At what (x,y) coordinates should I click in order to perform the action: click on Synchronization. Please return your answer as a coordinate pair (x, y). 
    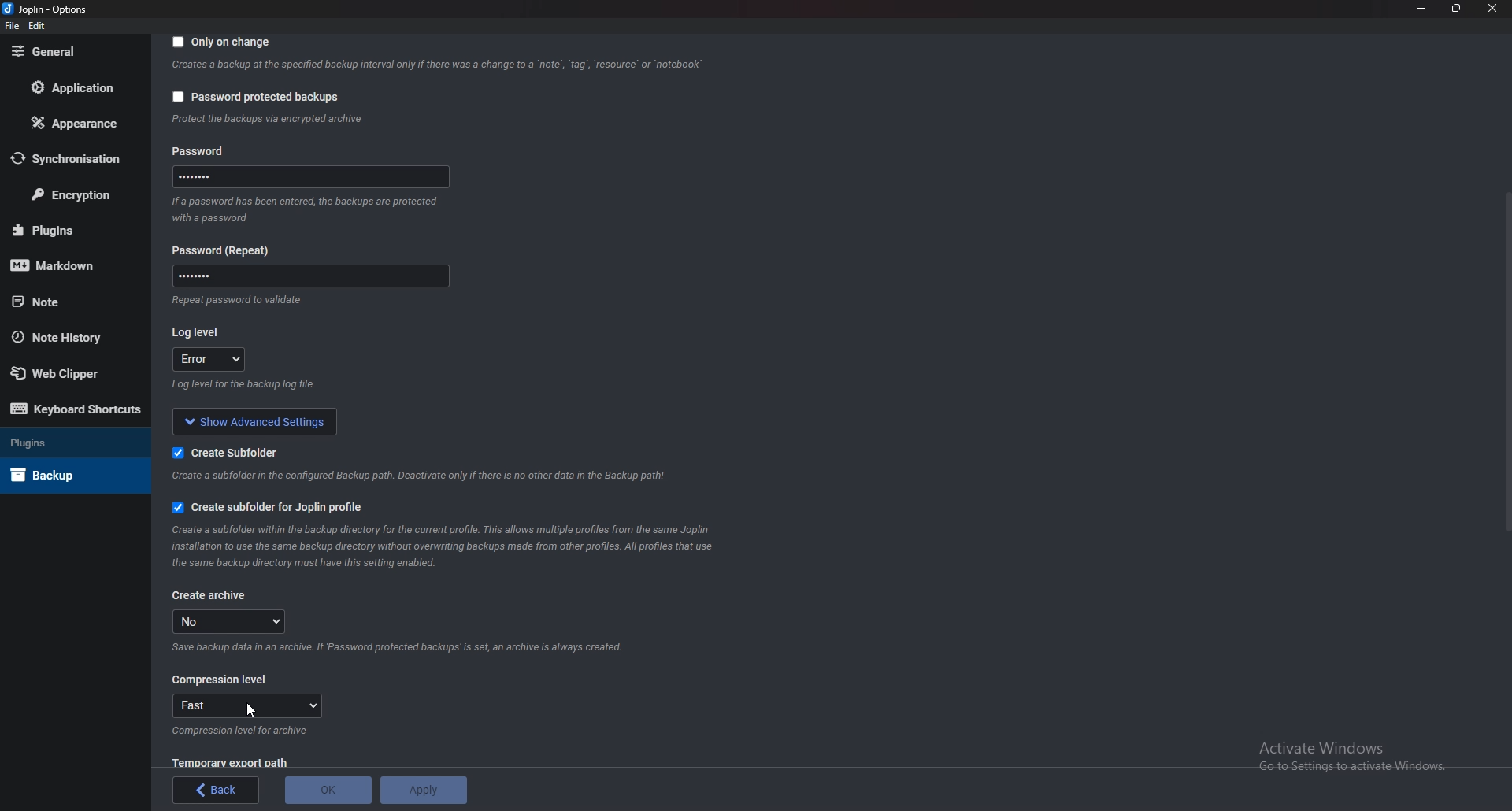
    Looking at the image, I should click on (71, 157).